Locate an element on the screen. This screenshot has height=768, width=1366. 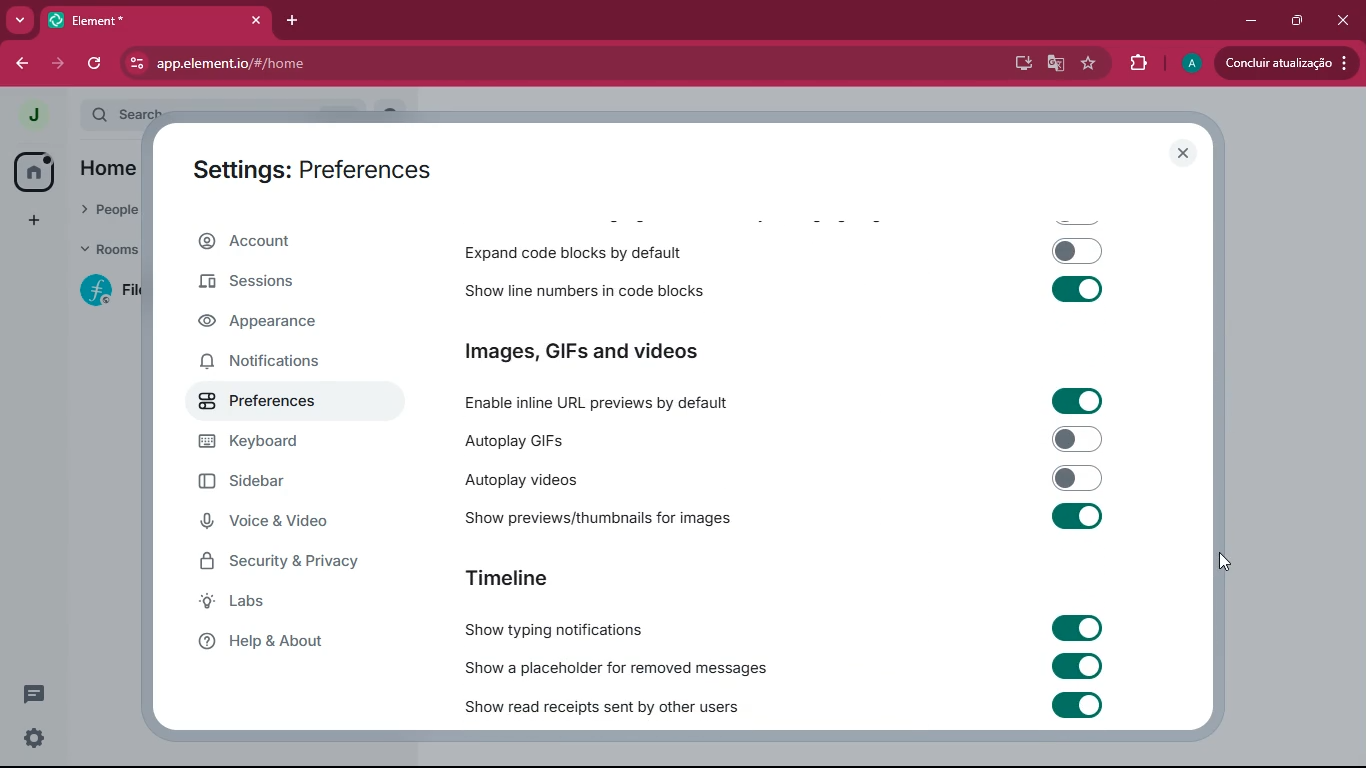
toggle on/off is located at coordinates (1079, 478).